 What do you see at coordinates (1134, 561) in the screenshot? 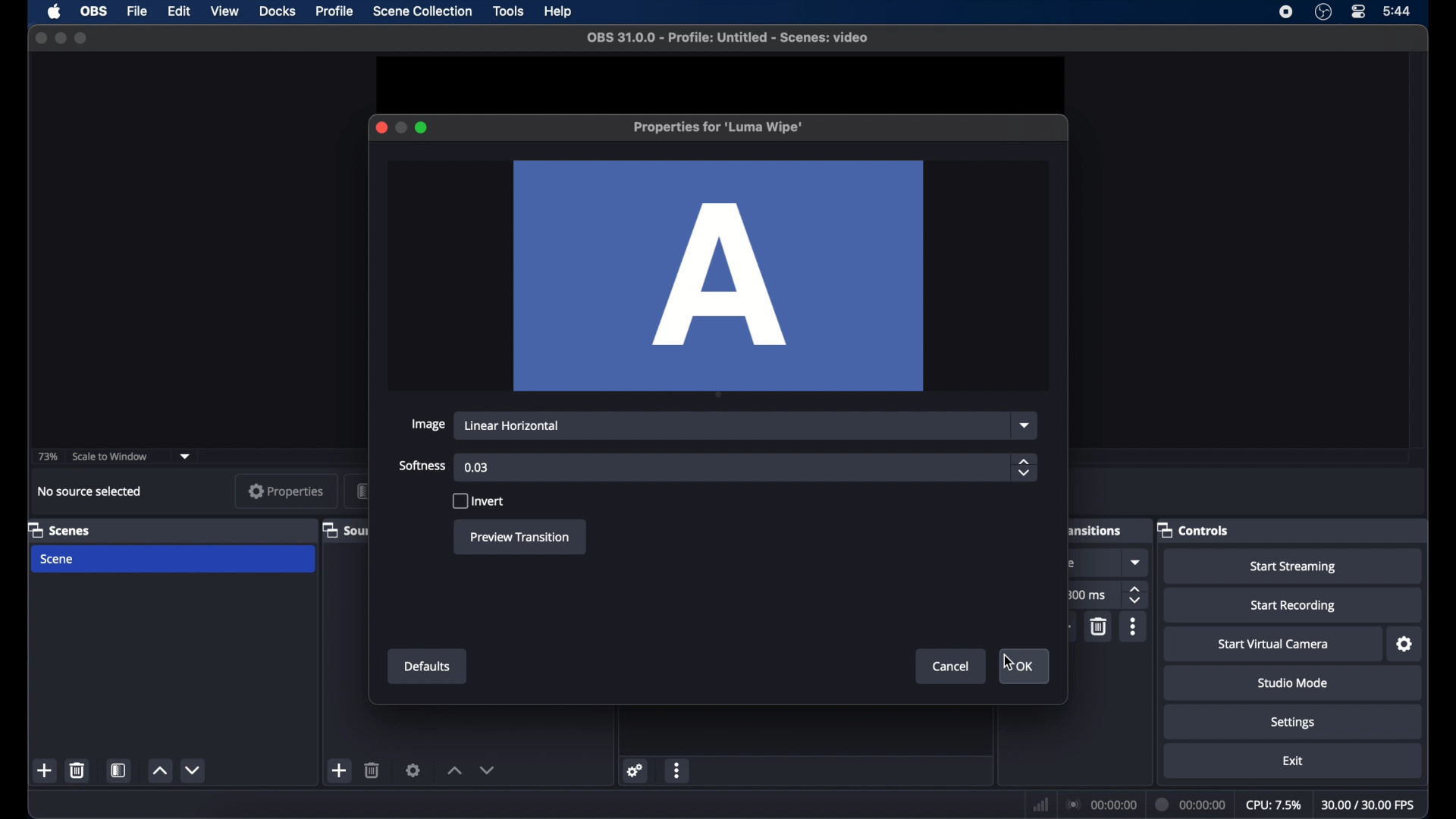
I see `dropdown` at bounding box center [1134, 561].